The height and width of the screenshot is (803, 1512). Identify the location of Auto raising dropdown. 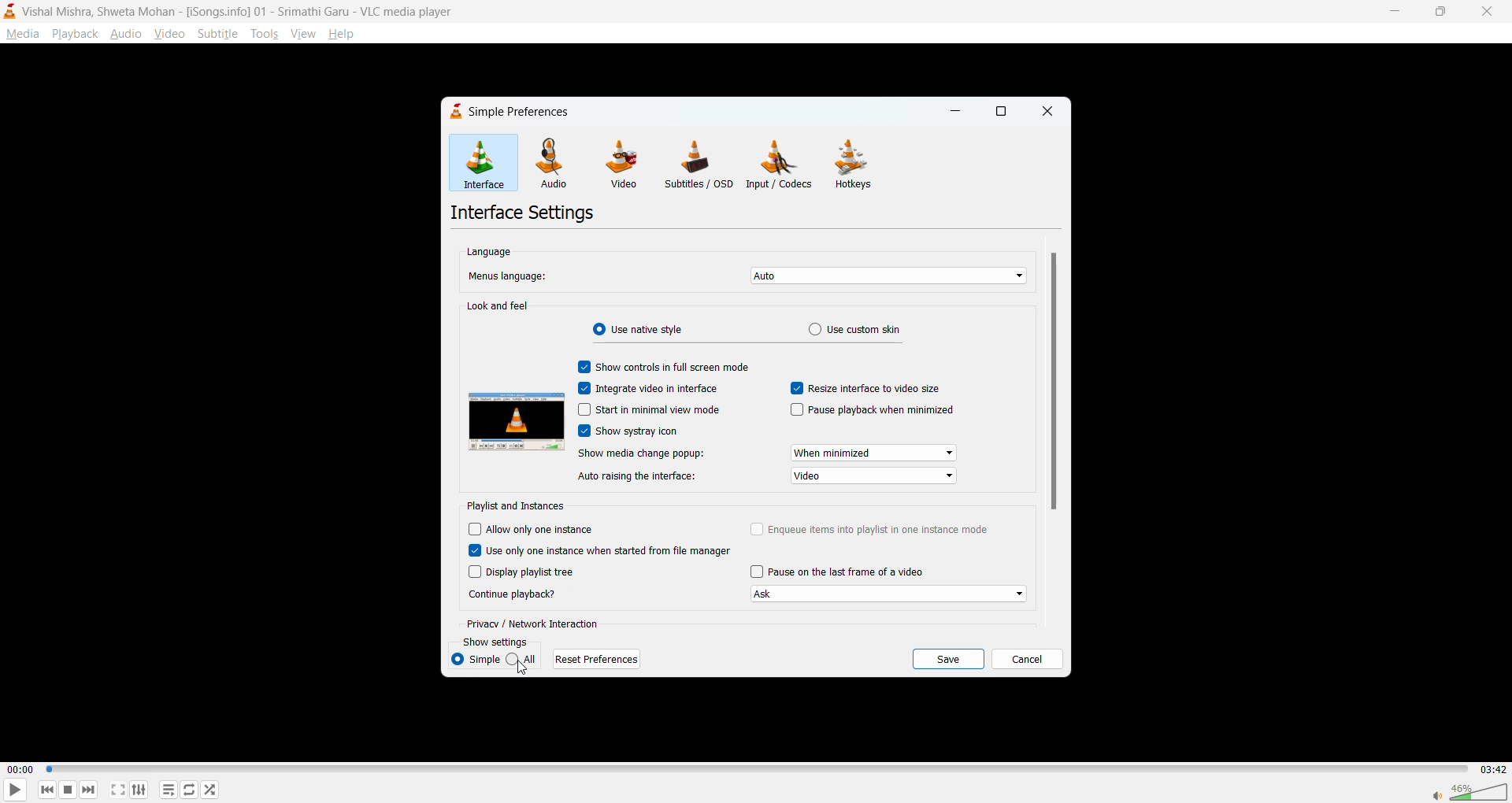
(872, 476).